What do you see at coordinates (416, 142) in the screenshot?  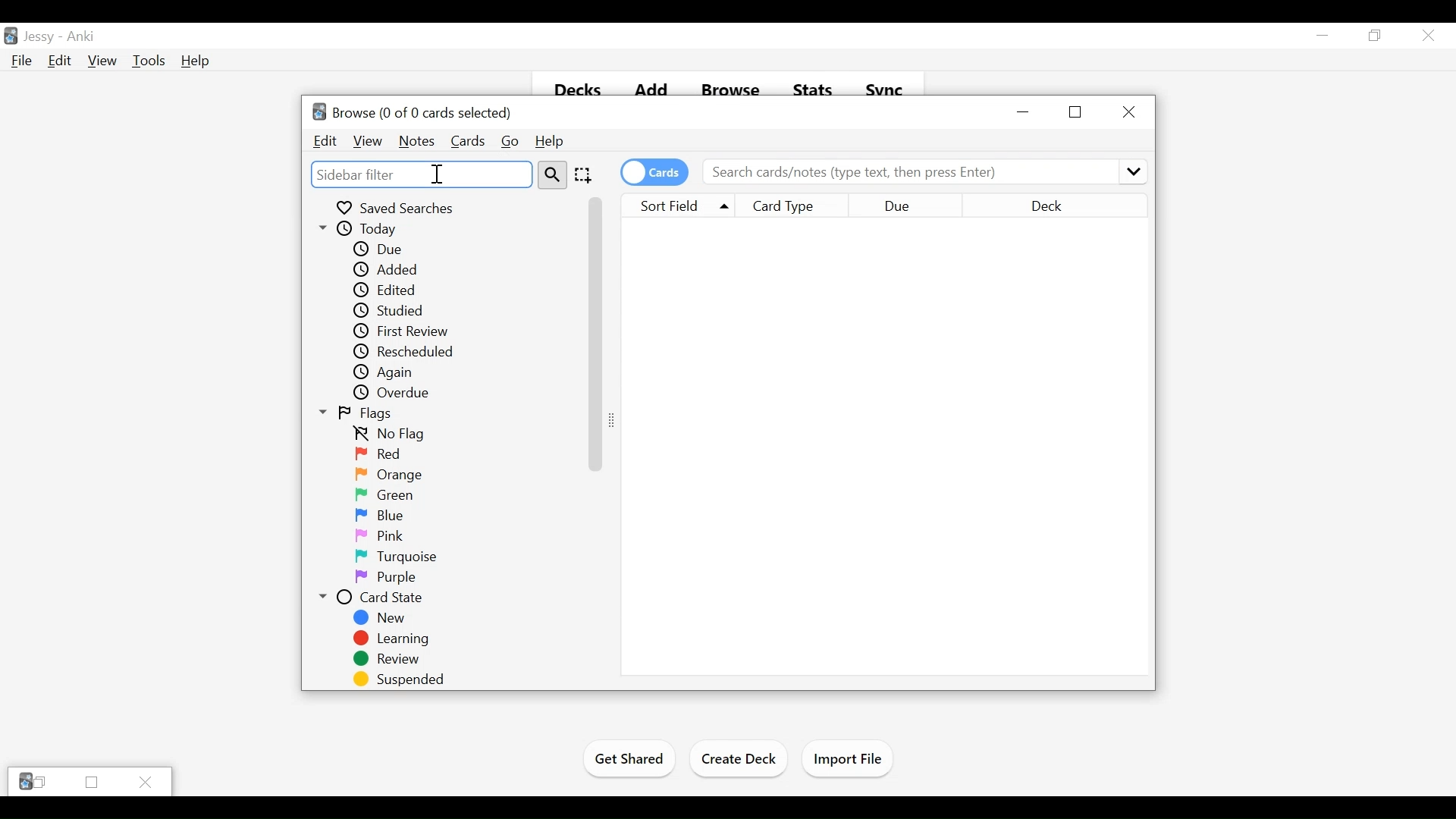 I see `Notes` at bounding box center [416, 142].